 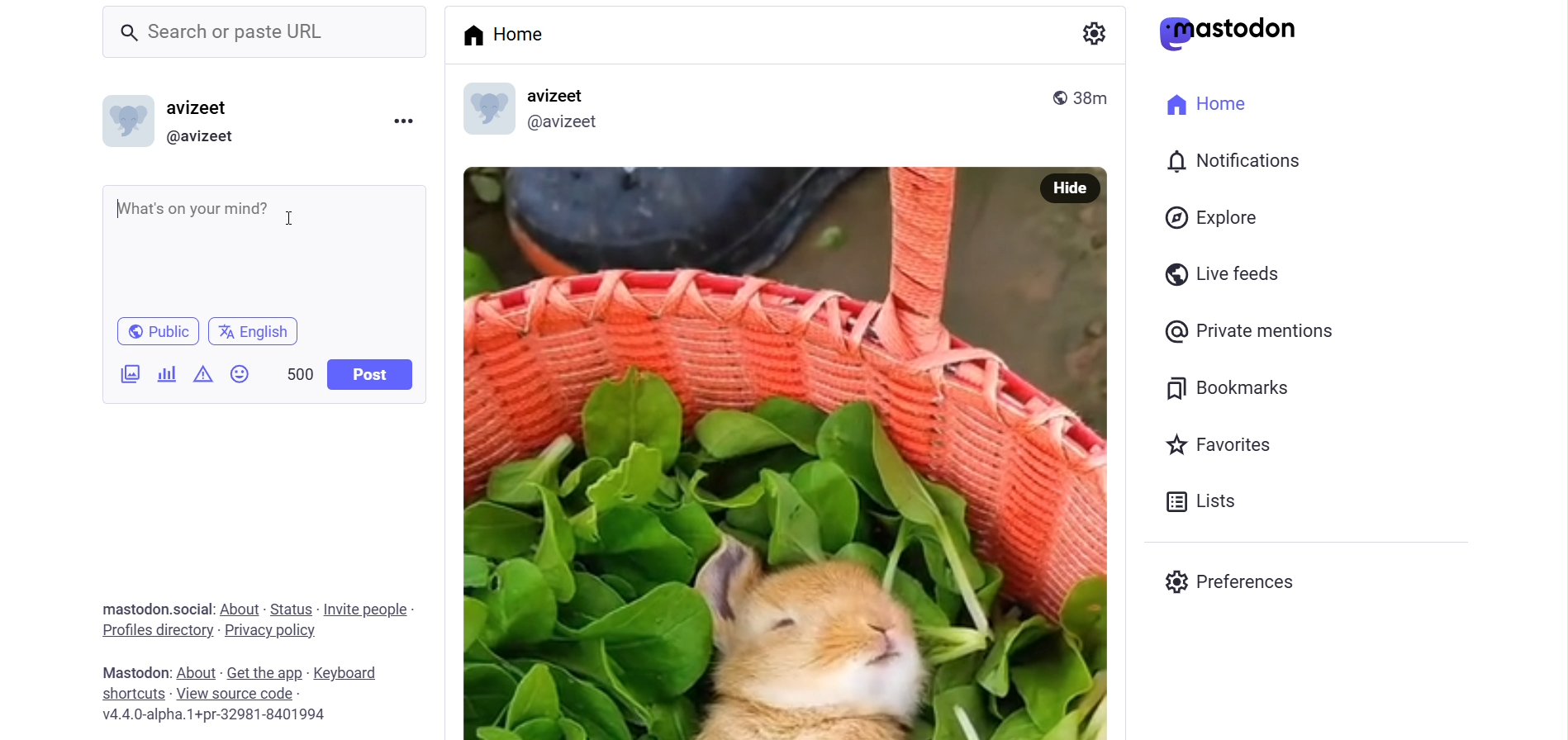 I want to click on Status, so click(x=292, y=610).